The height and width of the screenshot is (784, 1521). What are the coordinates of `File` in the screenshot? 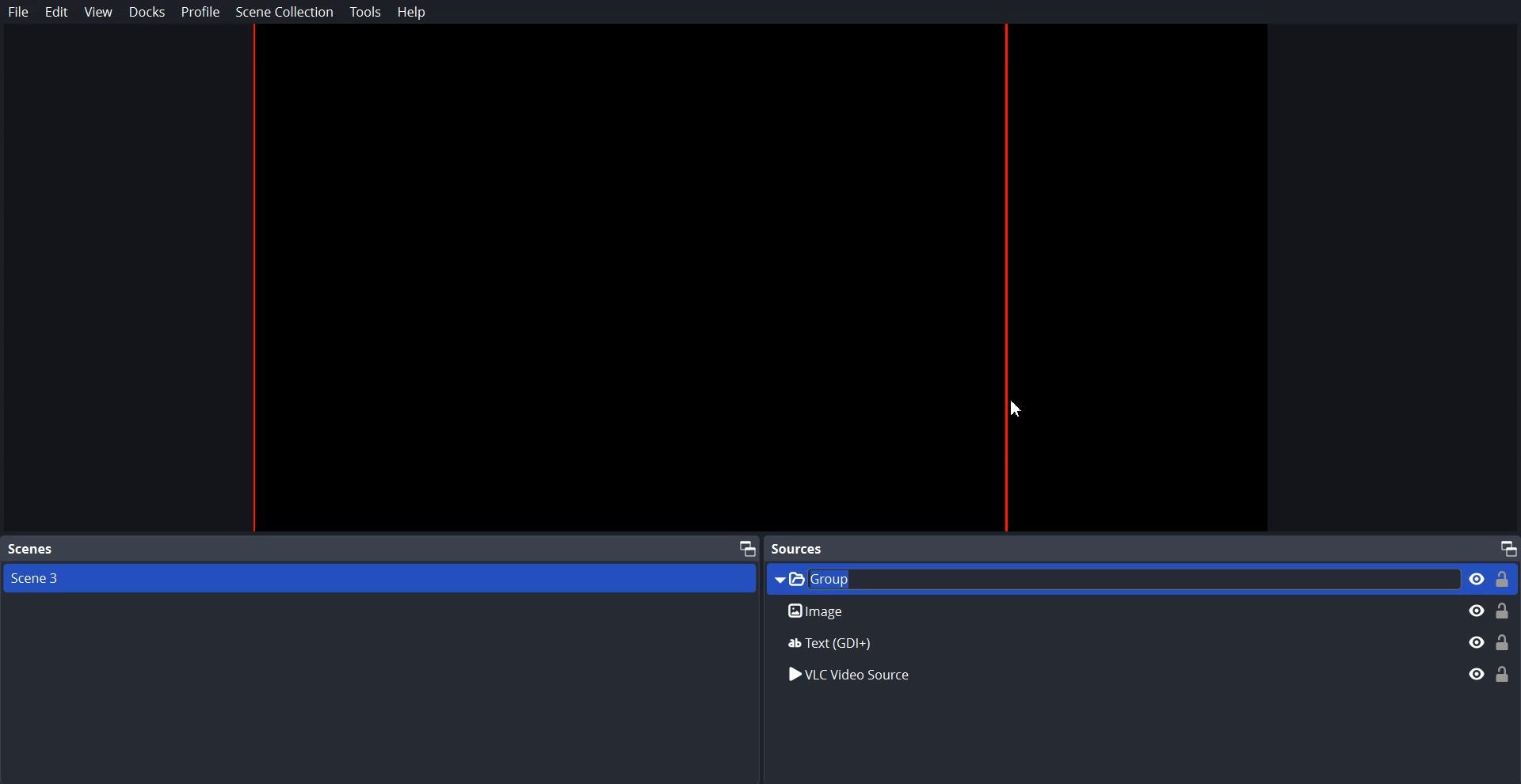 It's located at (19, 12).